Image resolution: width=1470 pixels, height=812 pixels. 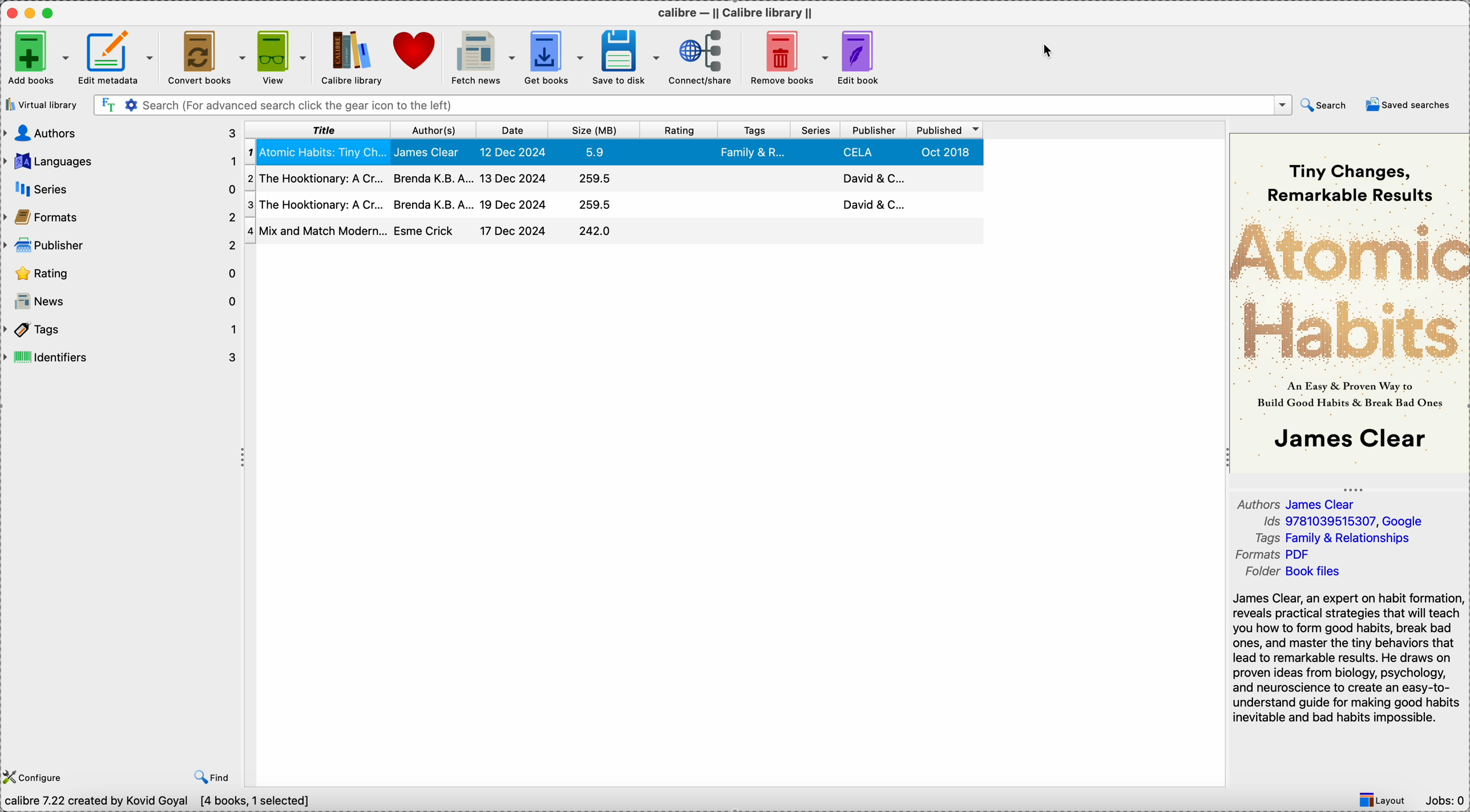 What do you see at coordinates (350, 58) in the screenshot?
I see `click on Calibre library` at bounding box center [350, 58].